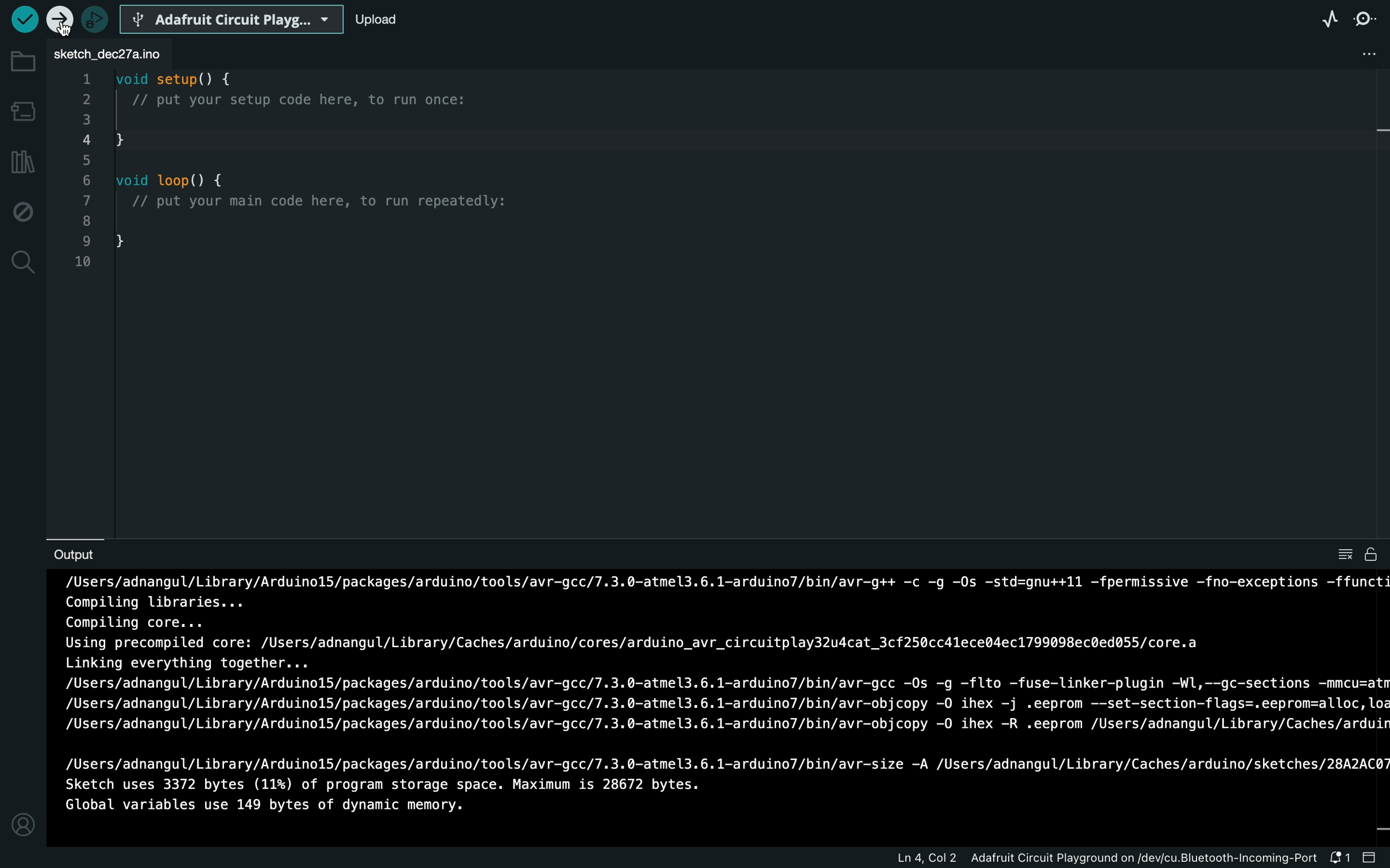 The image size is (1390, 868). I want to click on close slide bar, so click(1372, 858).